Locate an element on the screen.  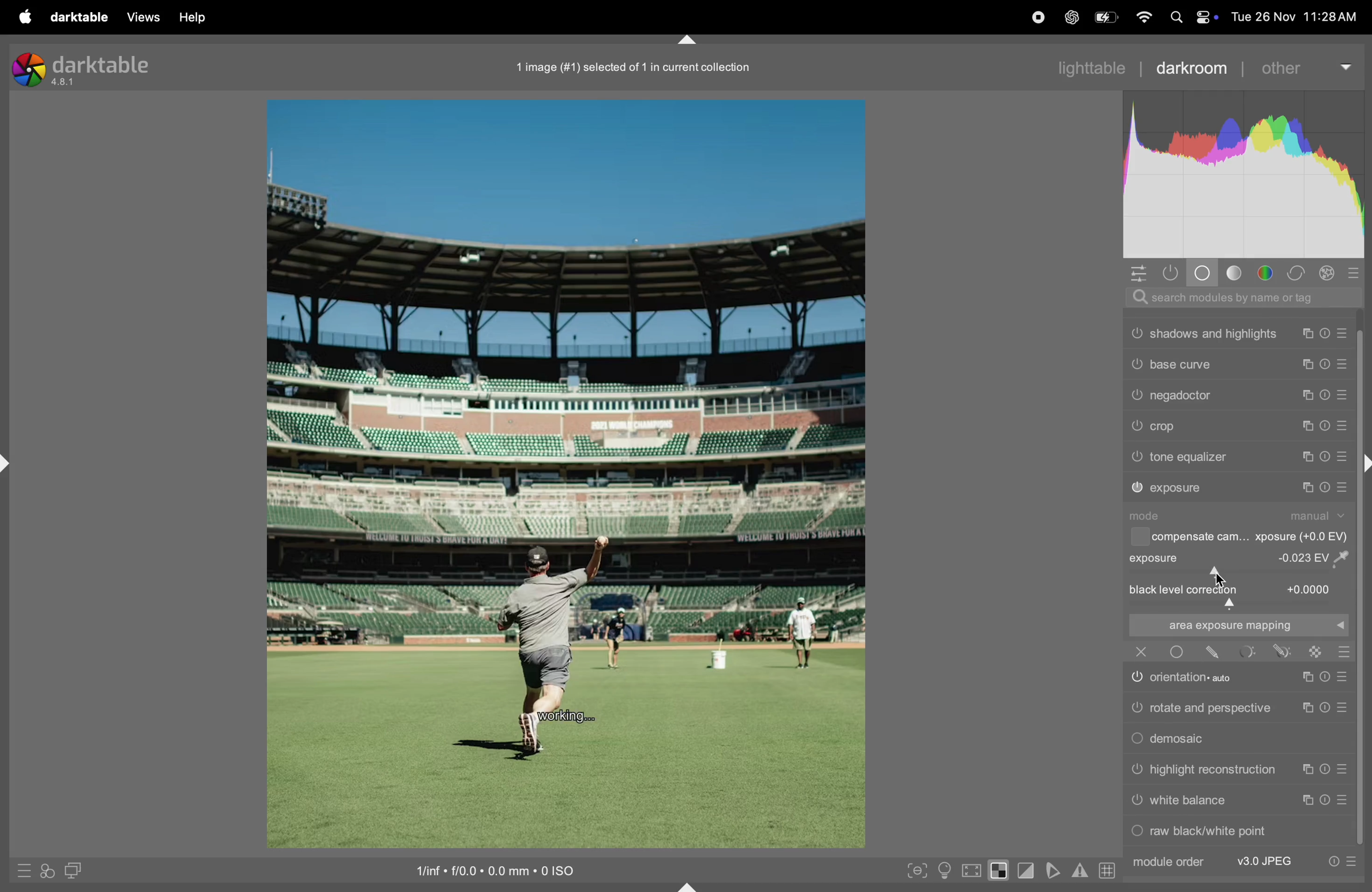
Presets is located at coordinates (1352, 862).